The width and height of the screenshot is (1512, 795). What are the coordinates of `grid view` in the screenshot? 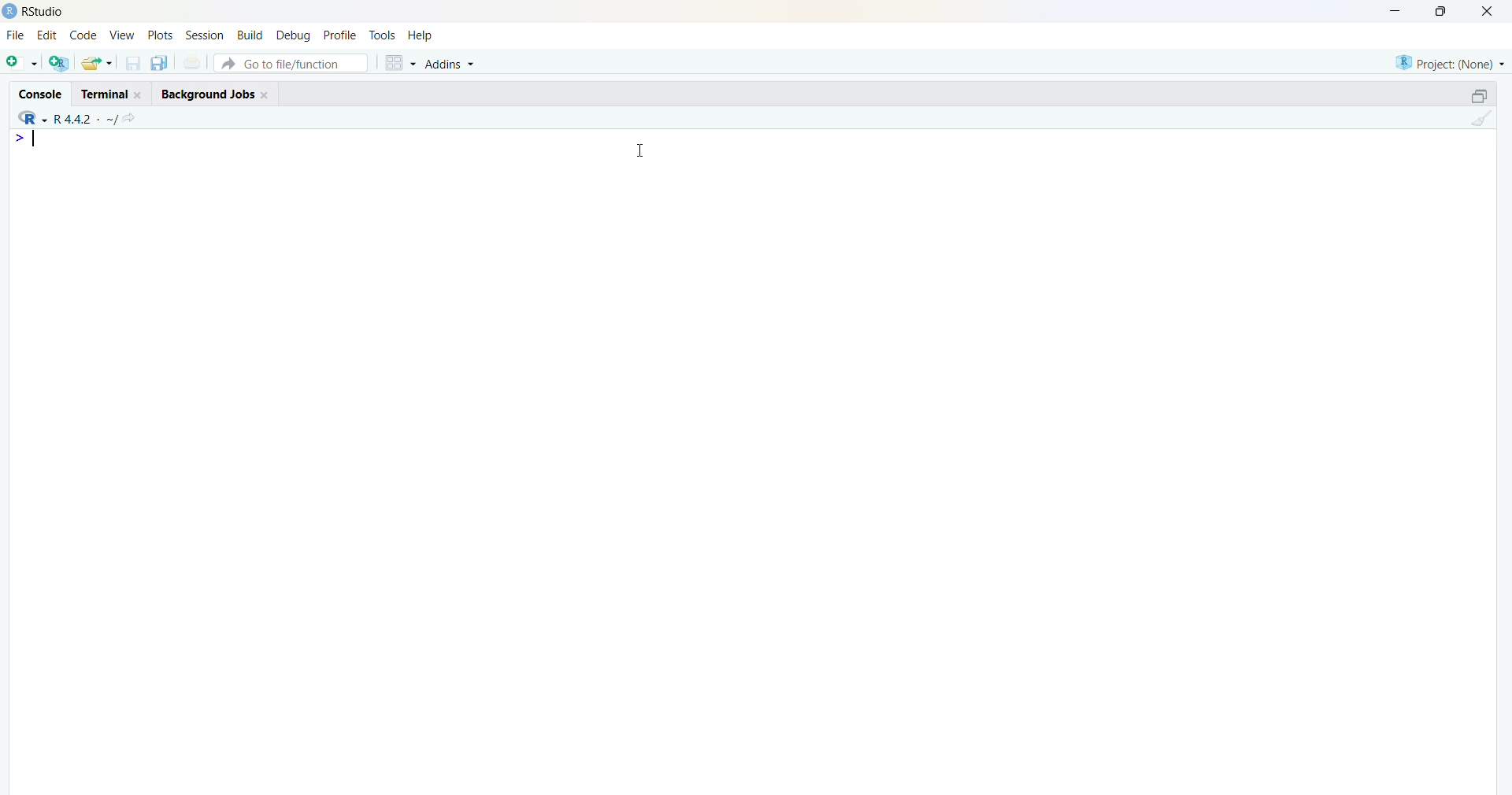 It's located at (399, 62).